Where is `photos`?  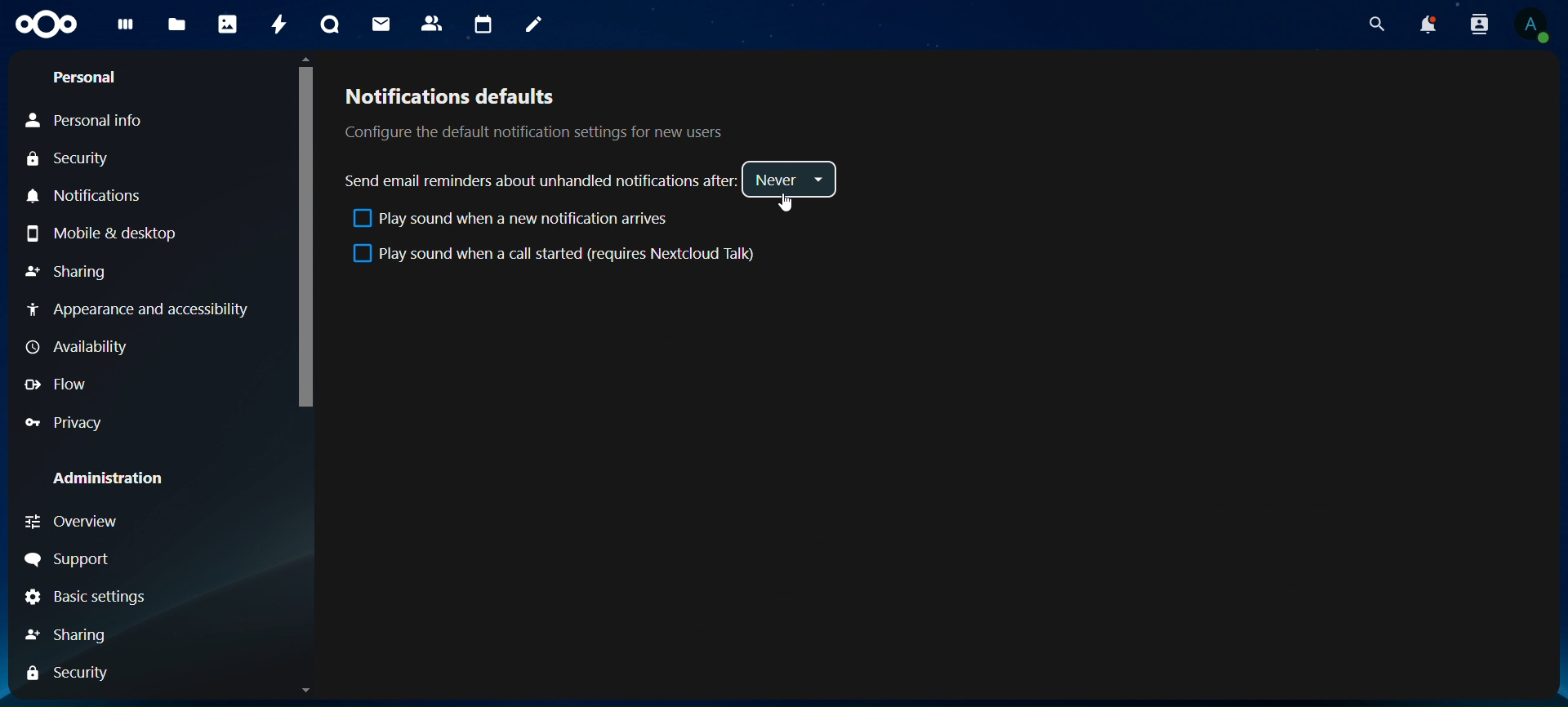
photos is located at coordinates (226, 24).